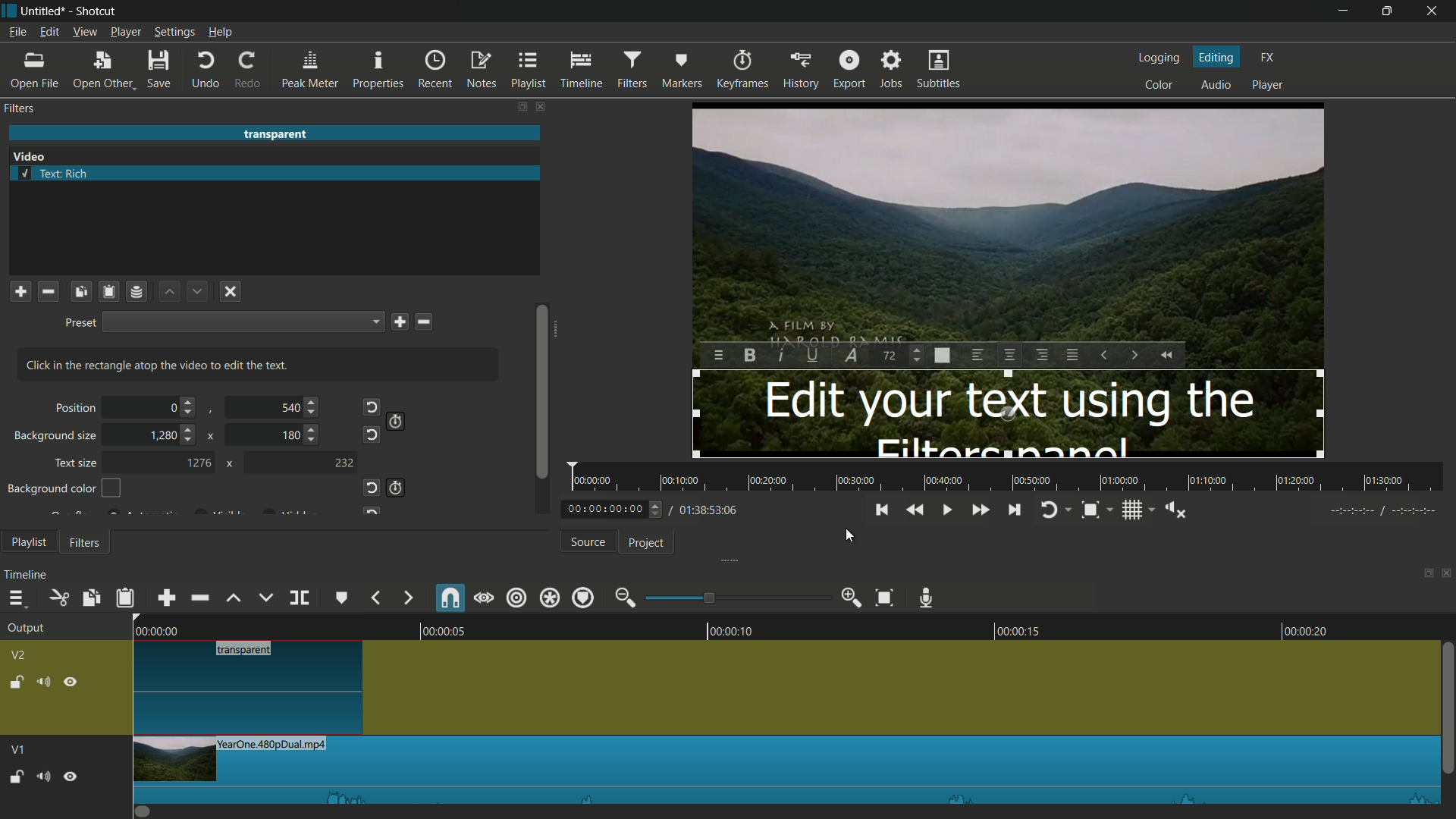  What do you see at coordinates (374, 406) in the screenshot?
I see `reset to default` at bounding box center [374, 406].